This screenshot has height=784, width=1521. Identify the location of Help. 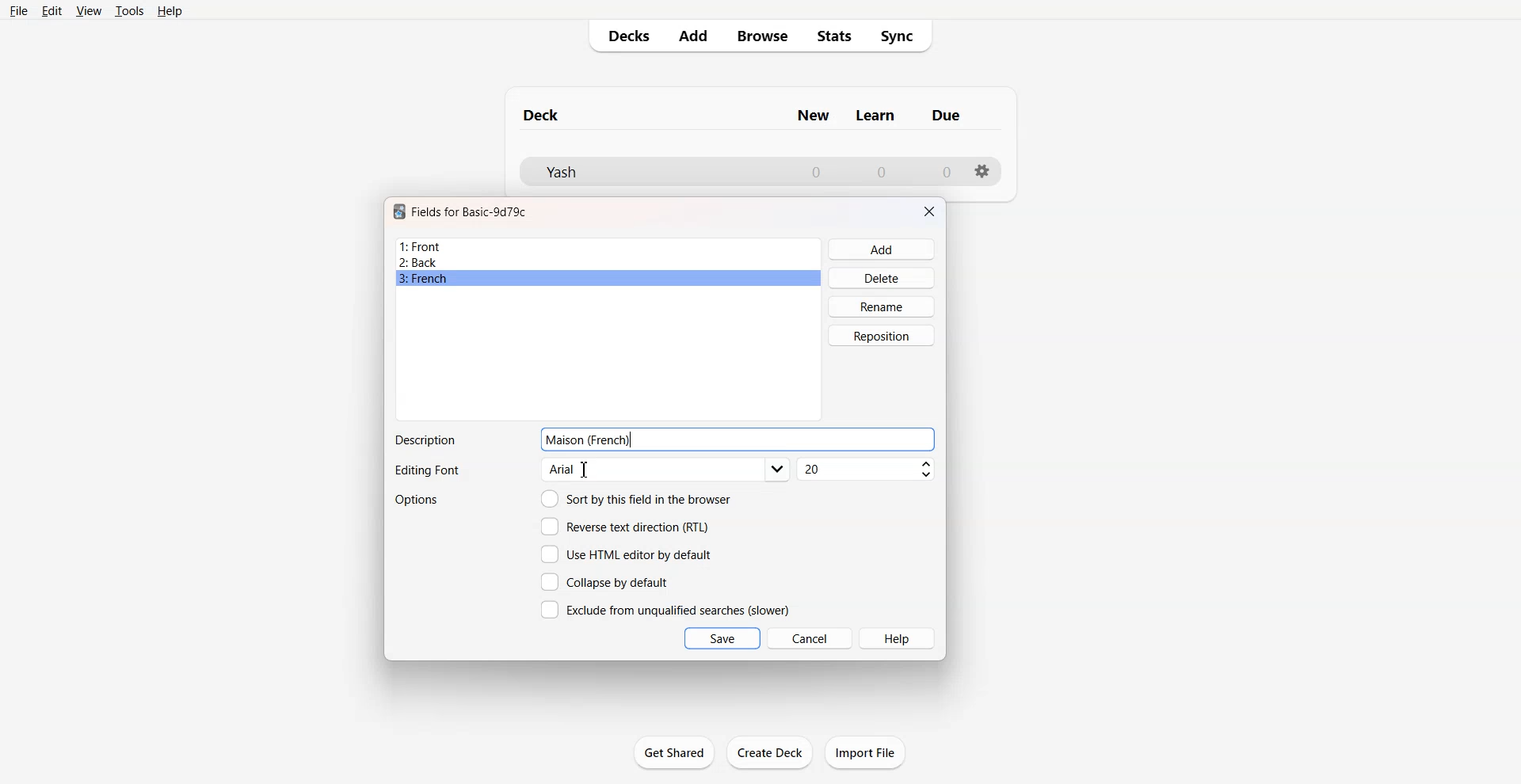
(170, 11).